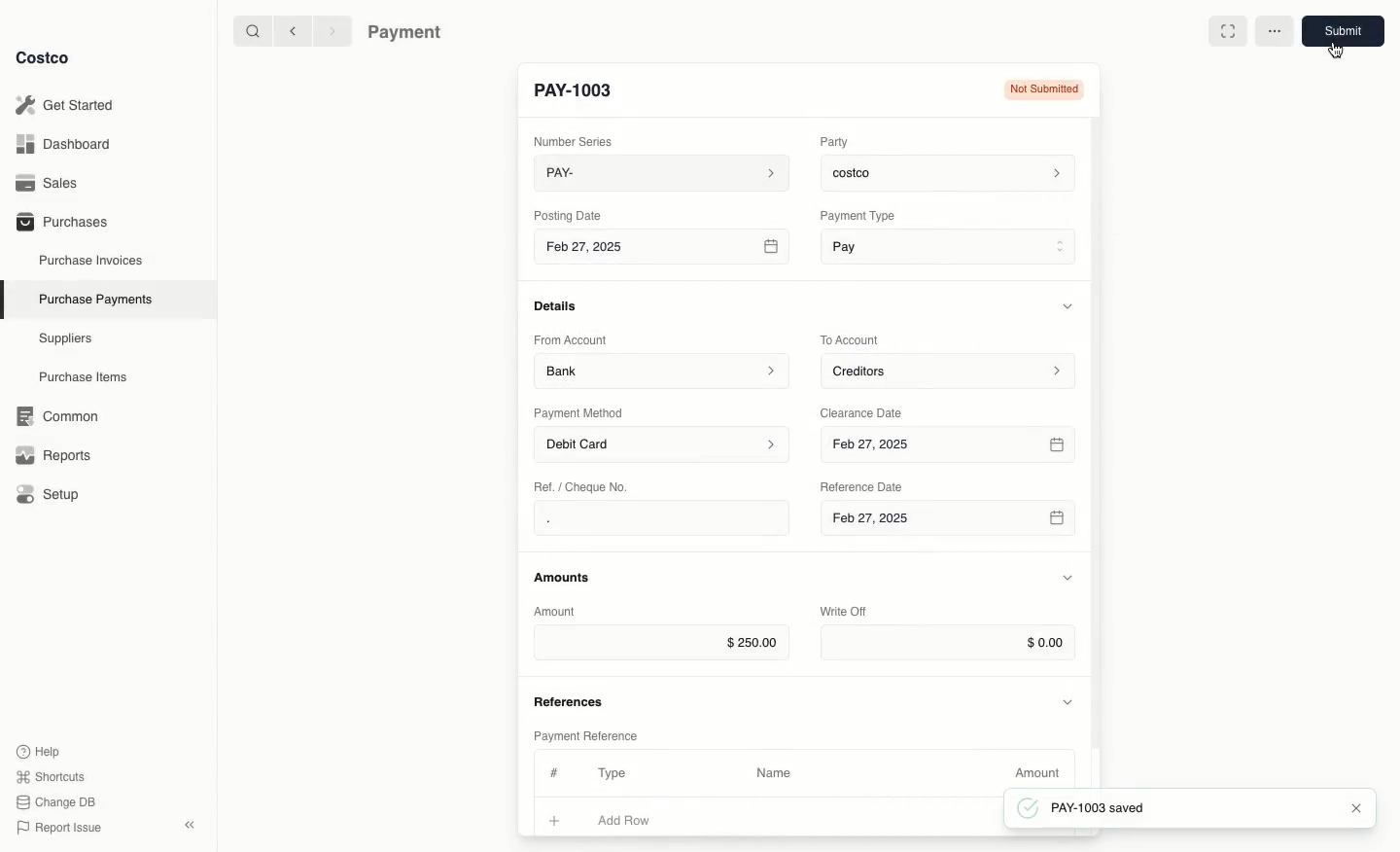  I want to click on Hide, so click(1070, 305).